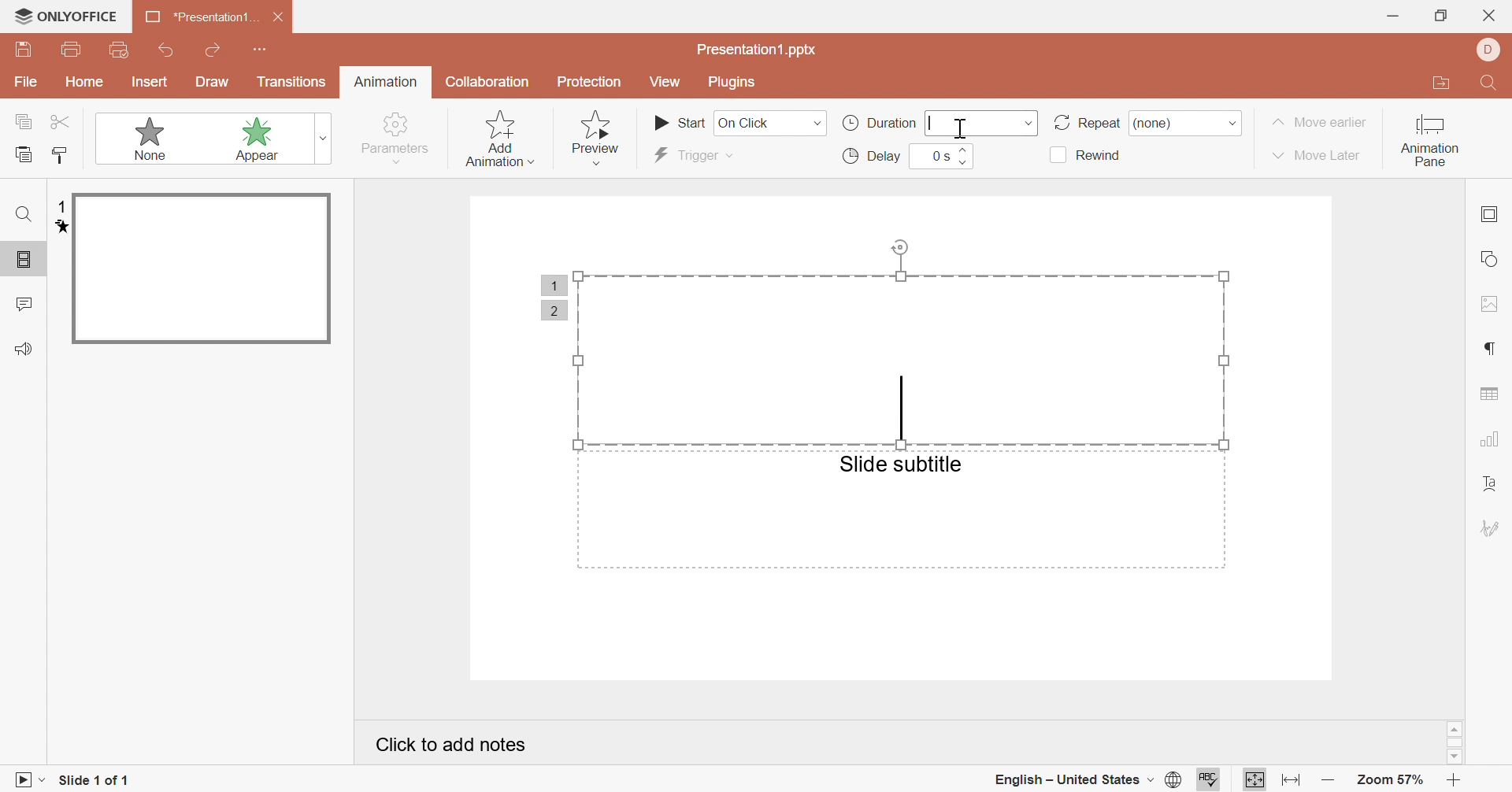 The image size is (1512, 792). Describe the element at coordinates (121, 50) in the screenshot. I see `print preview` at that location.